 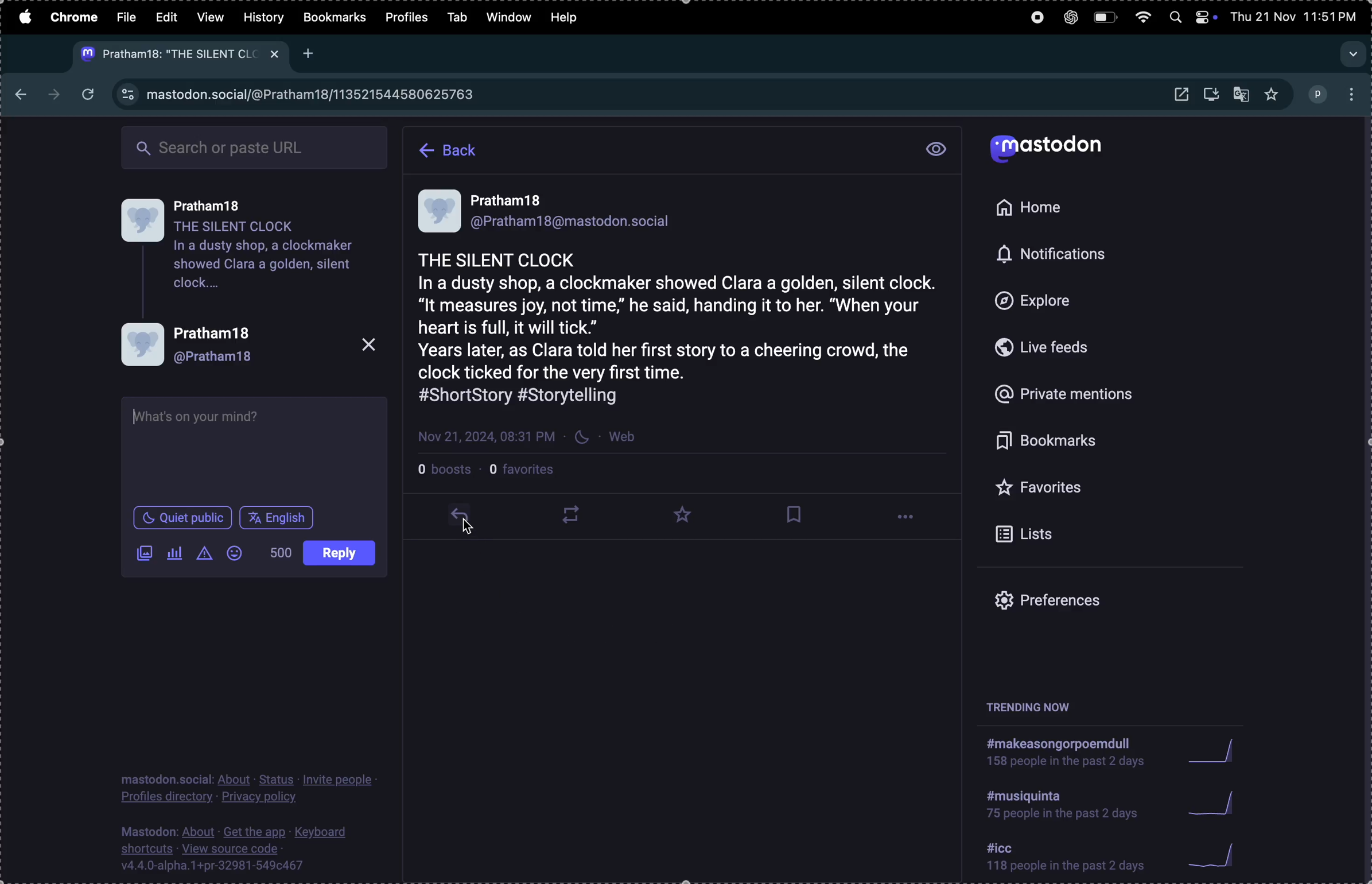 What do you see at coordinates (1052, 256) in the screenshot?
I see `notifications` at bounding box center [1052, 256].